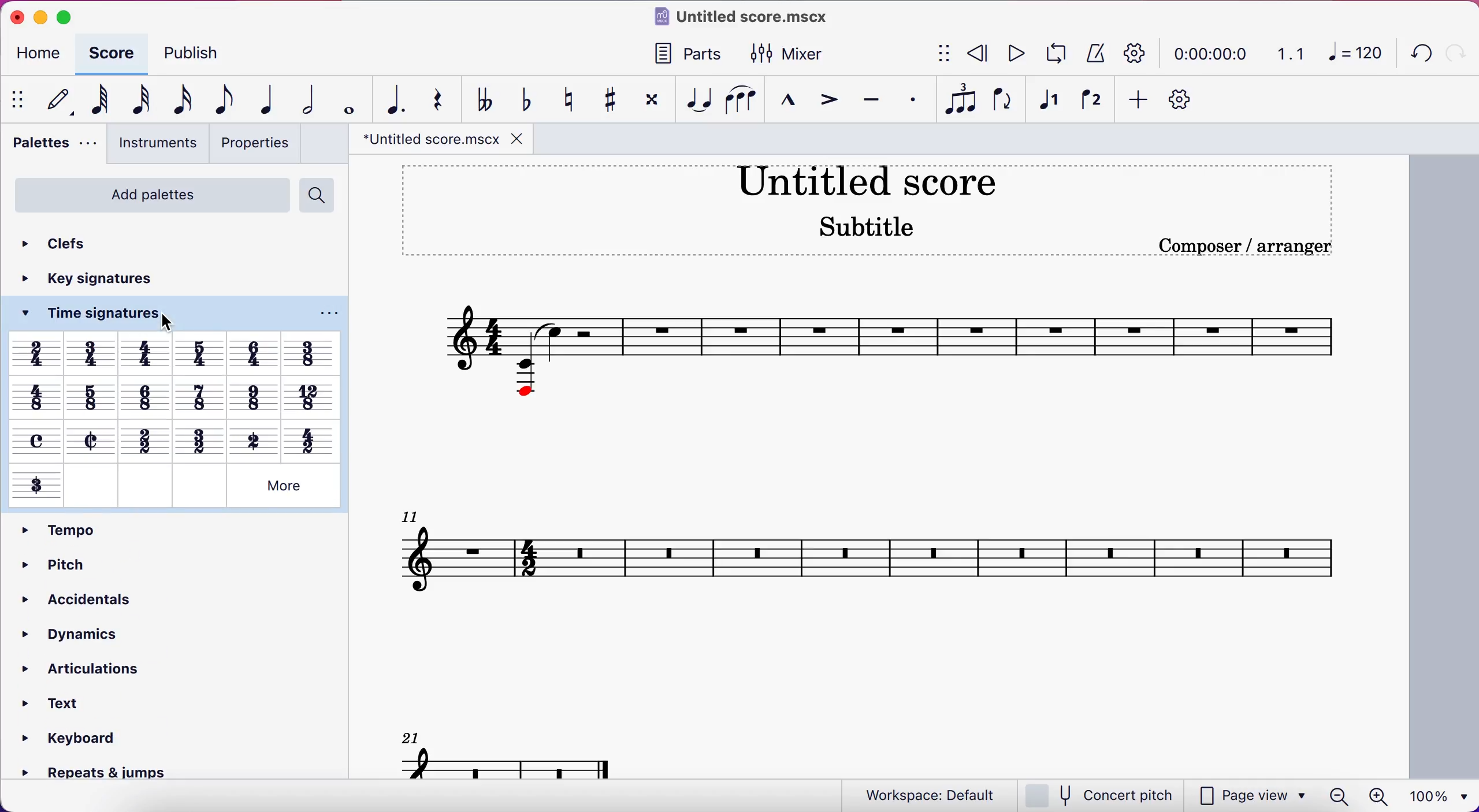 Image resolution: width=1479 pixels, height=812 pixels. I want to click on keyboard, so click(76, 737).